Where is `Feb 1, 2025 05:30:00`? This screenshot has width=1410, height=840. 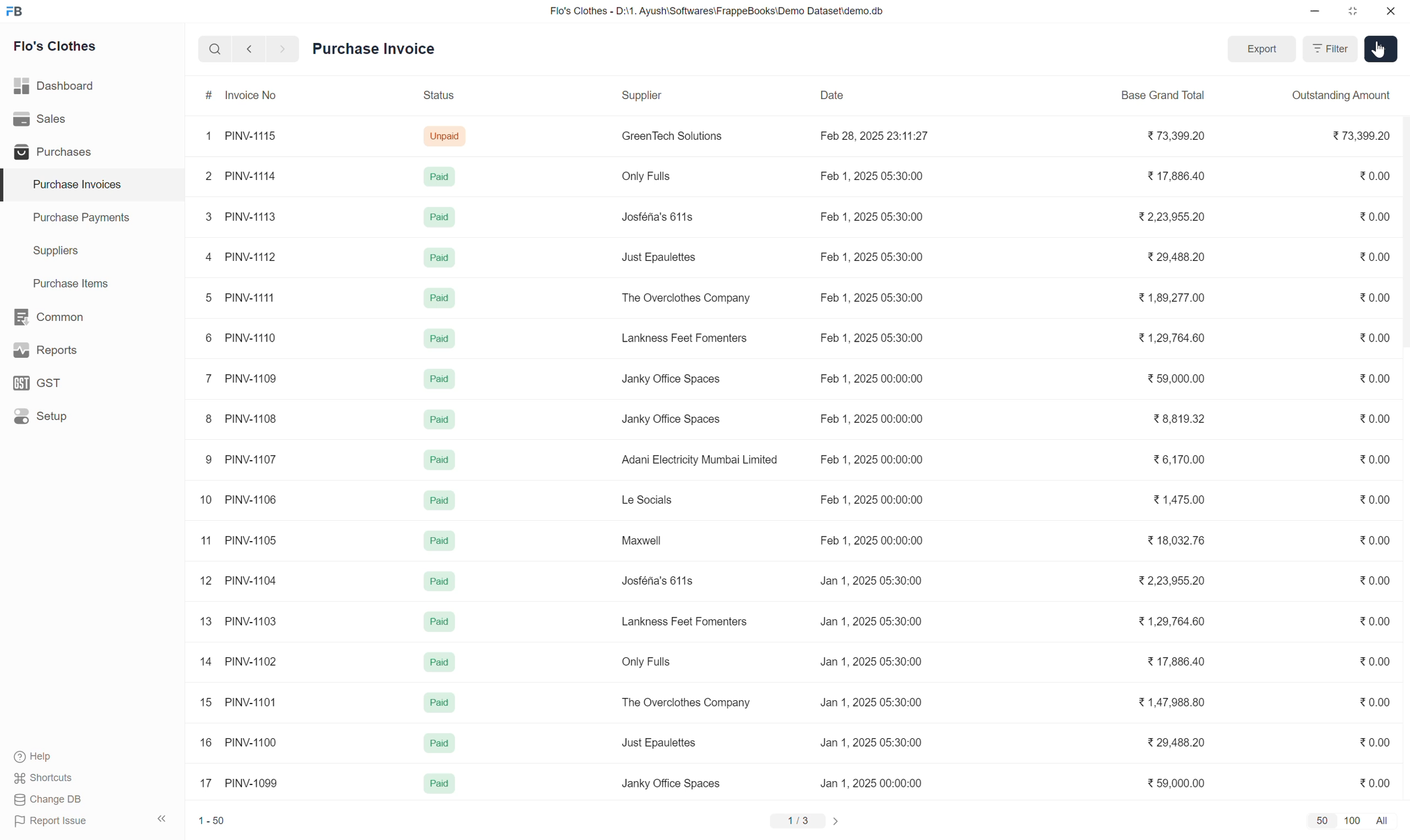 Feb 1, 2025 05:30:00 is located at coordinates (877, 296).